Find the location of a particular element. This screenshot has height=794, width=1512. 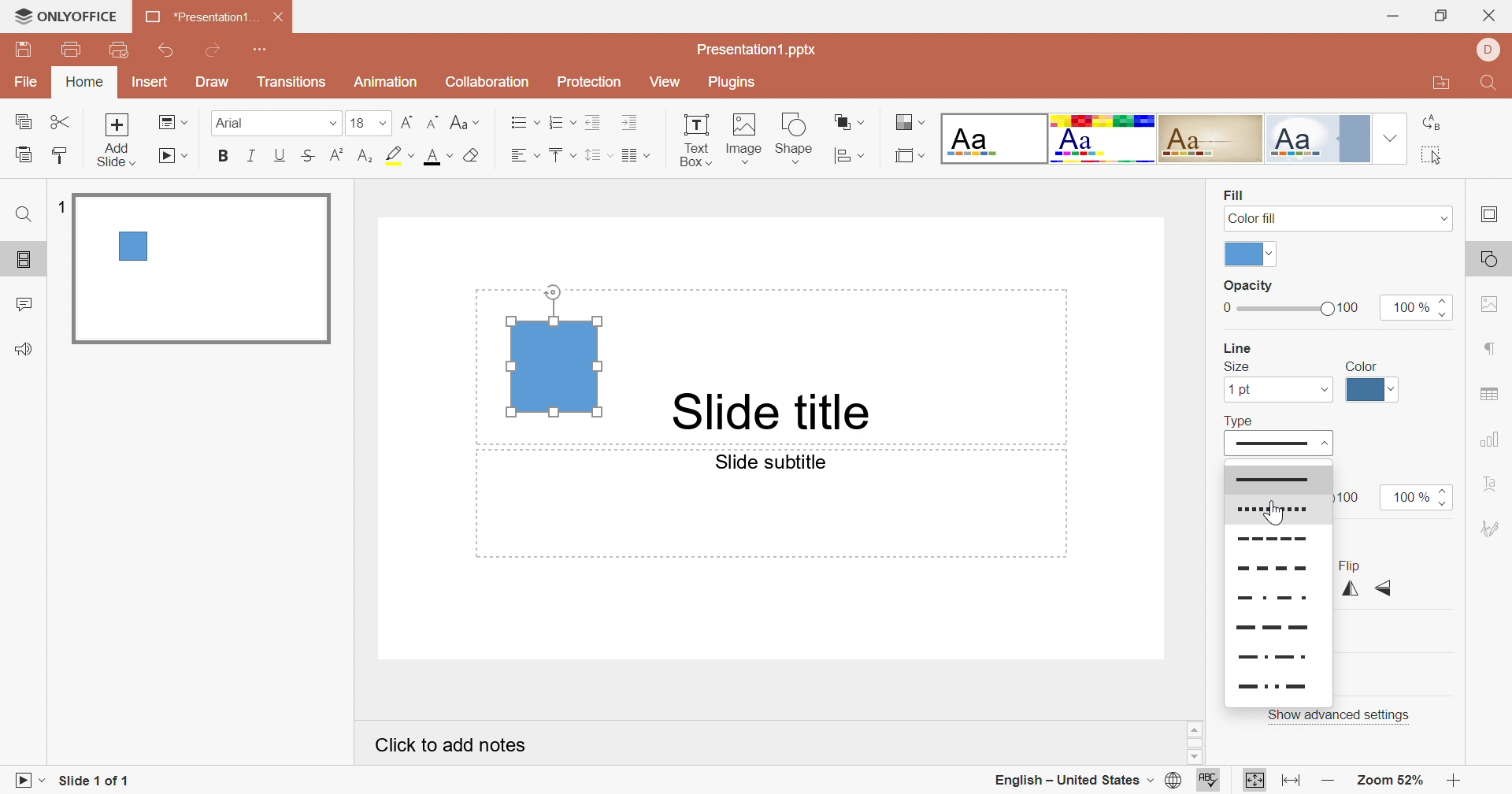

Highlight color is located at coordinates (398, 157).